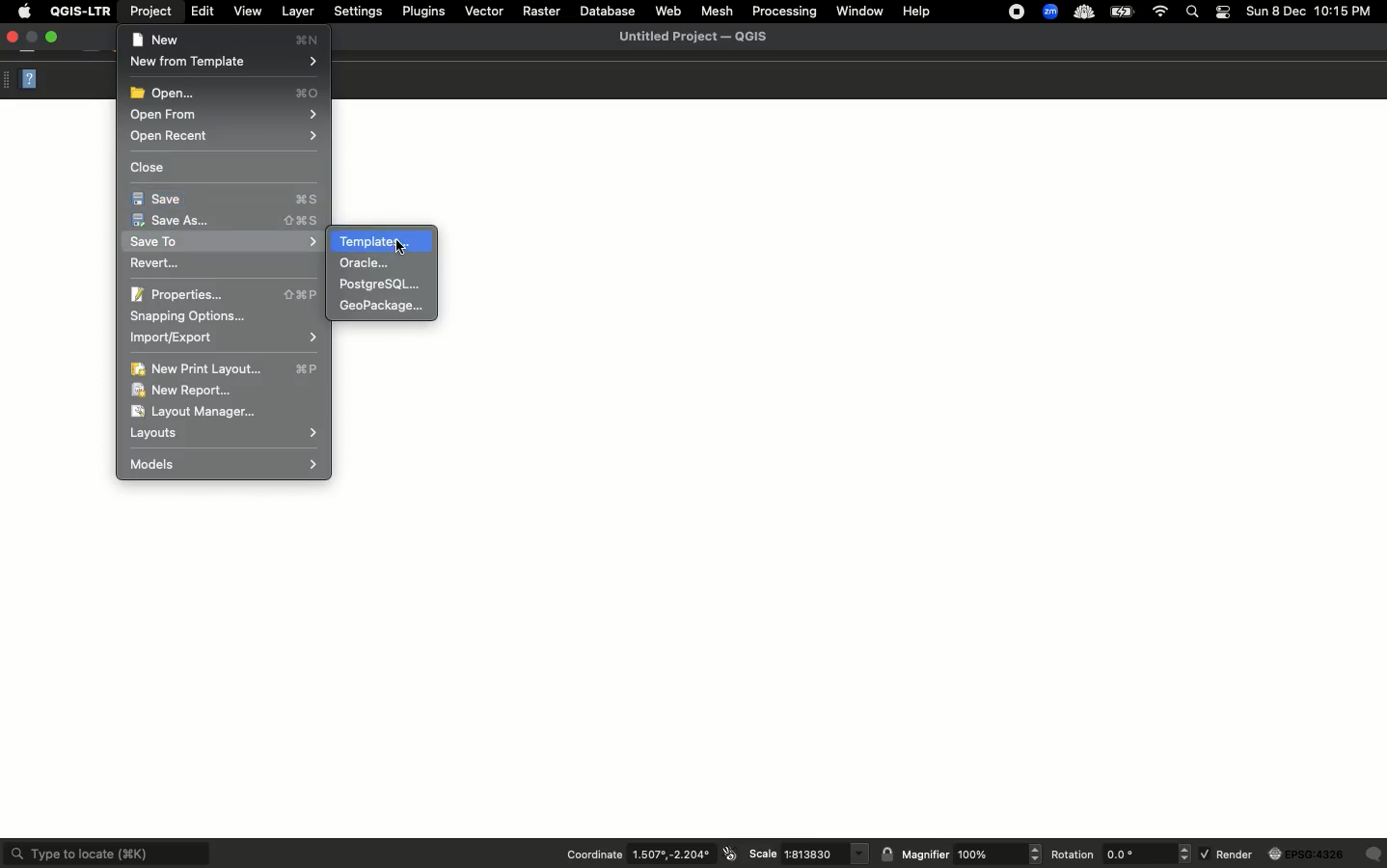 This screenshot has width=1387, height=868. What do you see at coordinates (729, 854) in the screenshot?
I see `icon` at bounding box center [729, 854].